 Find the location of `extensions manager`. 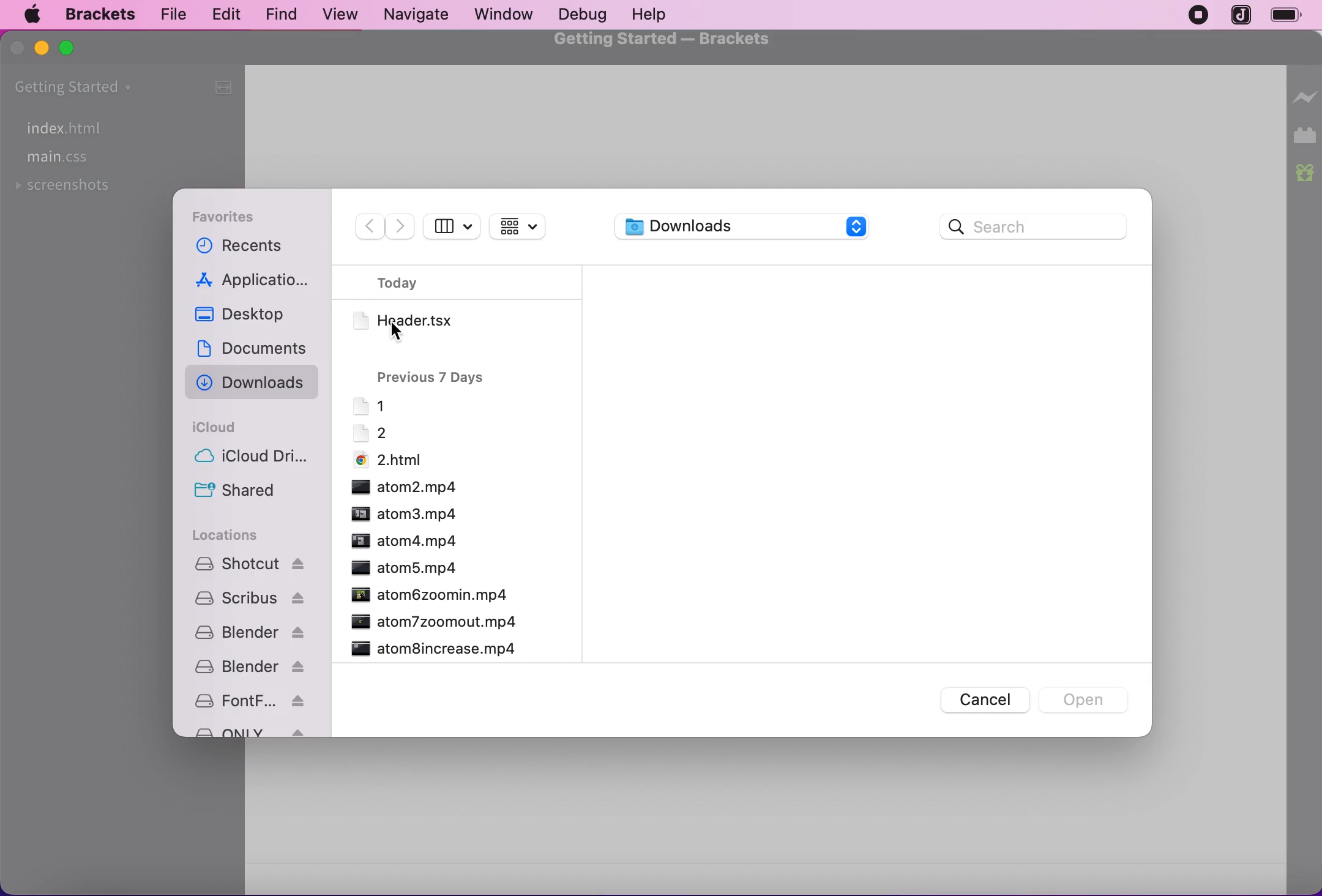

extensions manager is located at coordinates (1306, 136).